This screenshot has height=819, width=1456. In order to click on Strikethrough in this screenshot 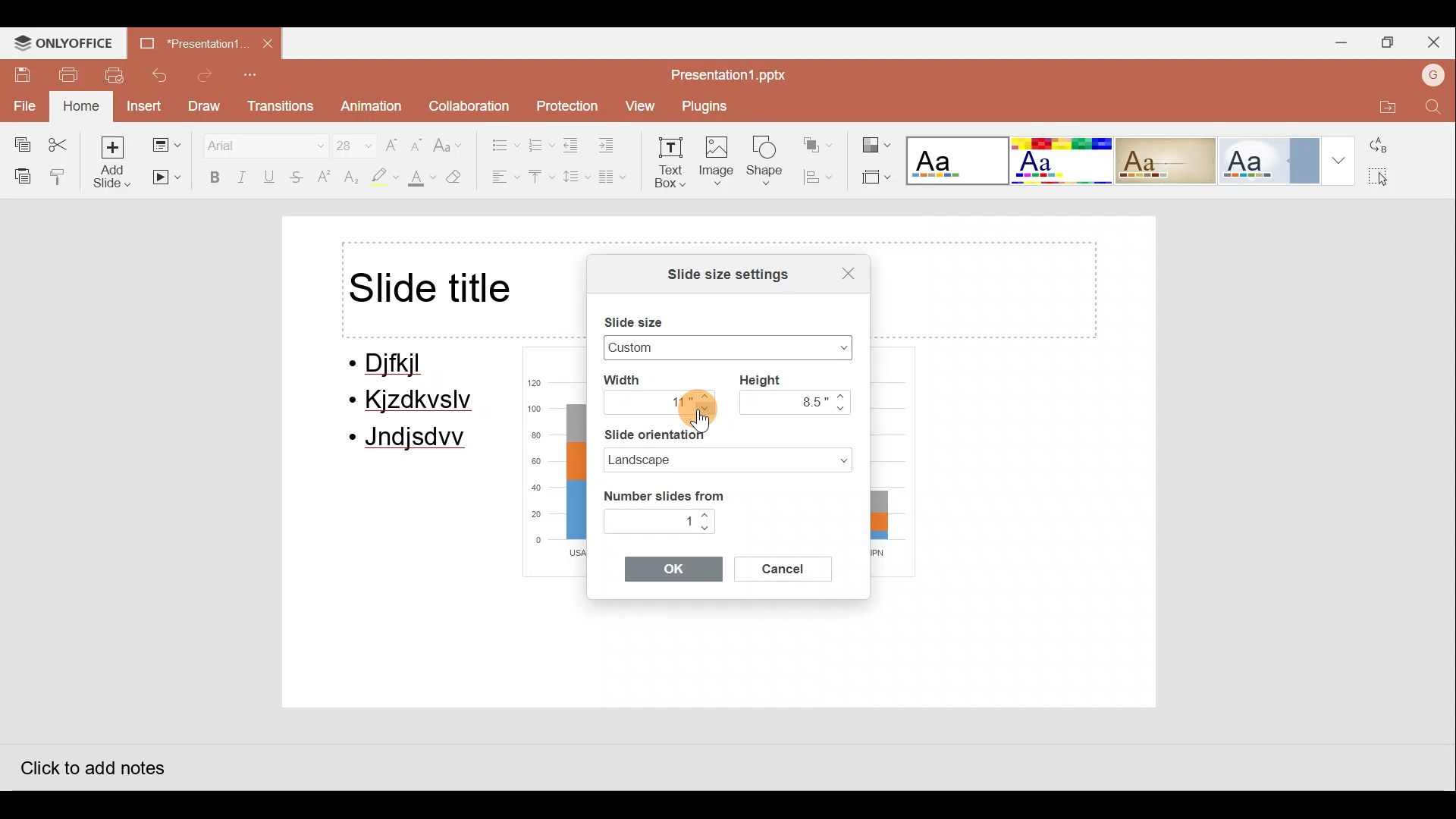, I will do `click(298, 179)`.